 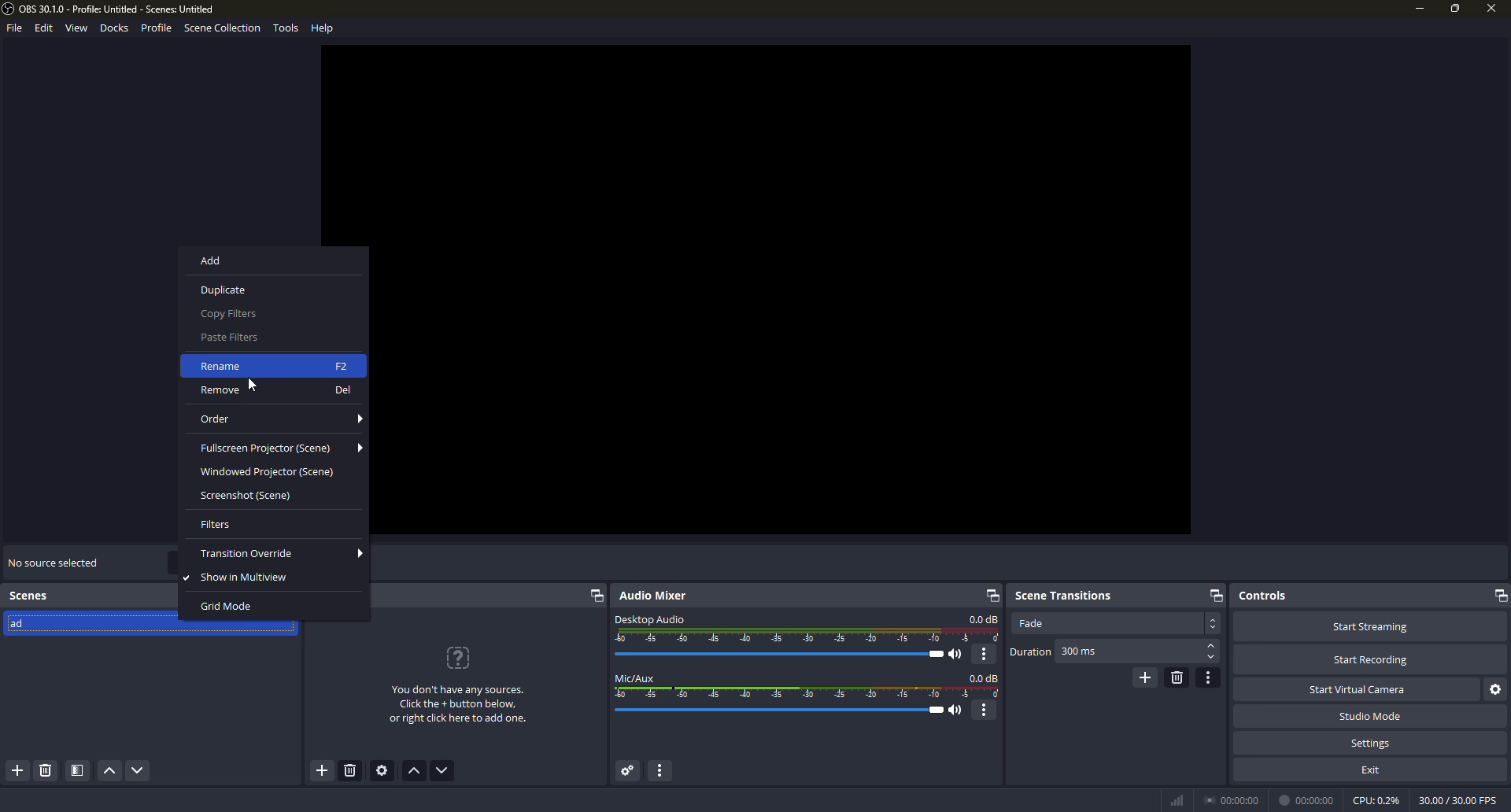 I want to click on time, so click(x=1309, y=799).